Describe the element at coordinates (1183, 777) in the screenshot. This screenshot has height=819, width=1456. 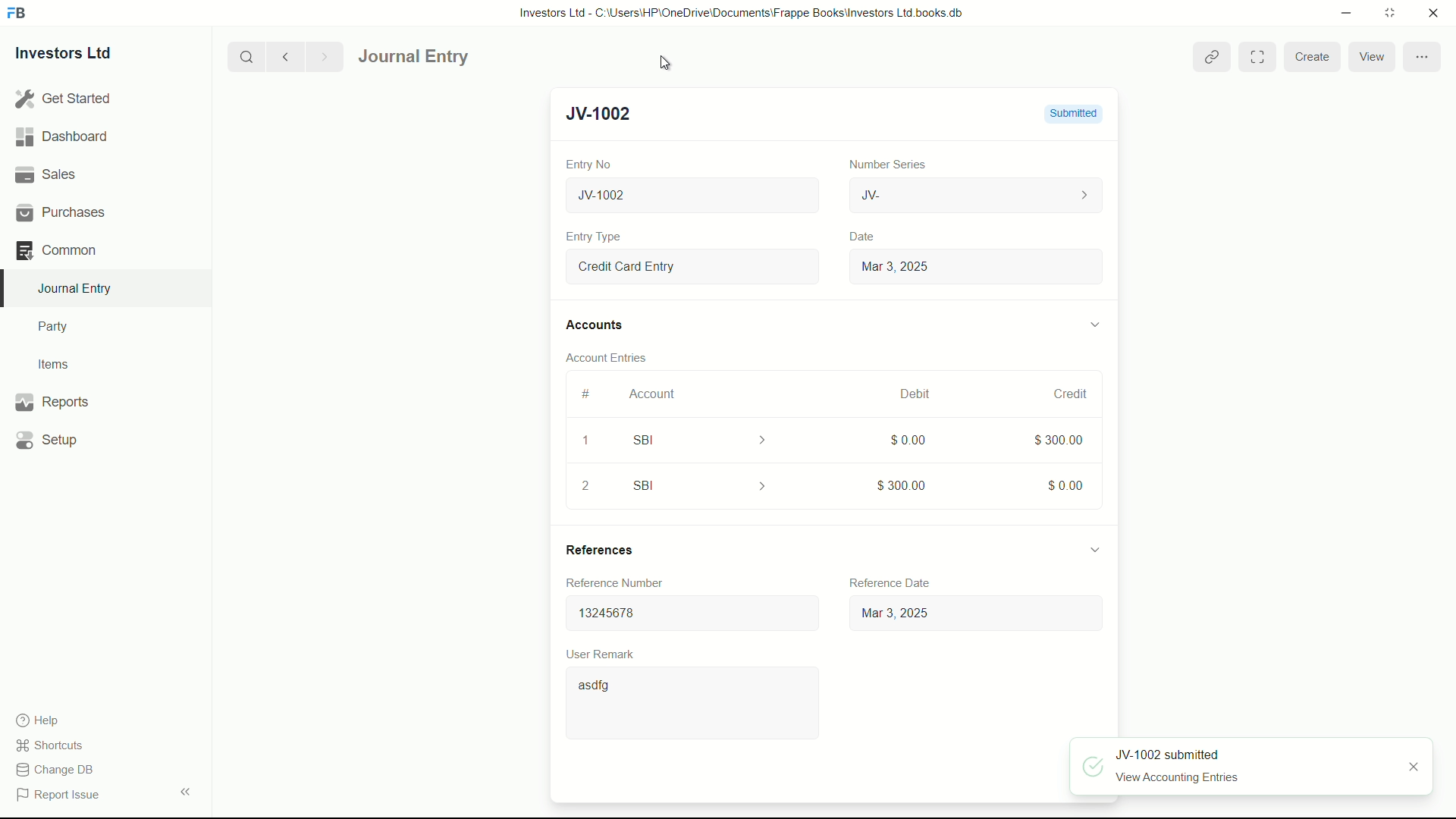
I see `View Accounting Entries` at that location.